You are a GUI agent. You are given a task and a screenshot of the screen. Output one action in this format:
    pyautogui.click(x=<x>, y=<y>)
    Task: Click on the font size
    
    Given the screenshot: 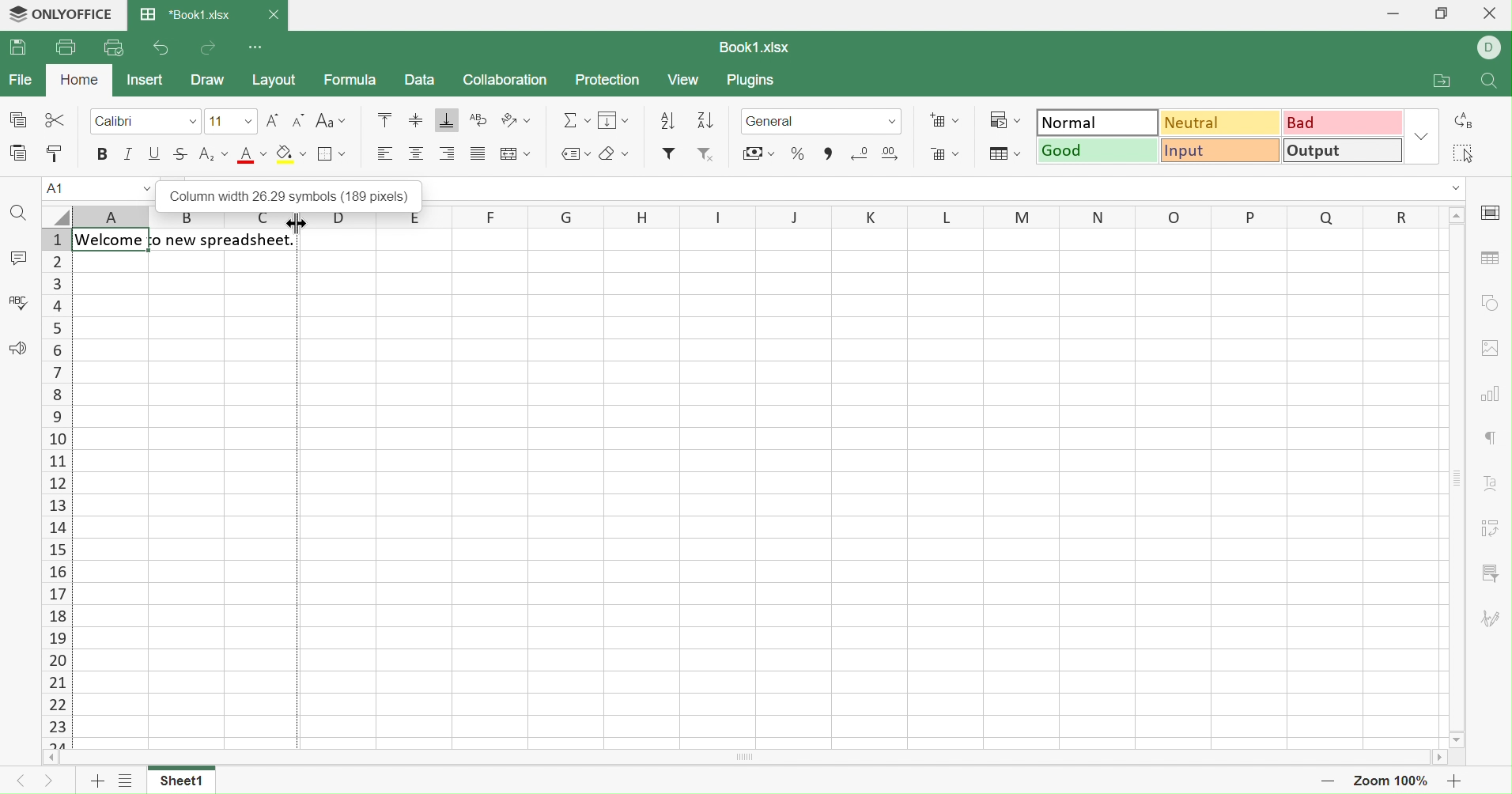 What is the action you would take?
    pyautogui.click(x=230, y=120)
    